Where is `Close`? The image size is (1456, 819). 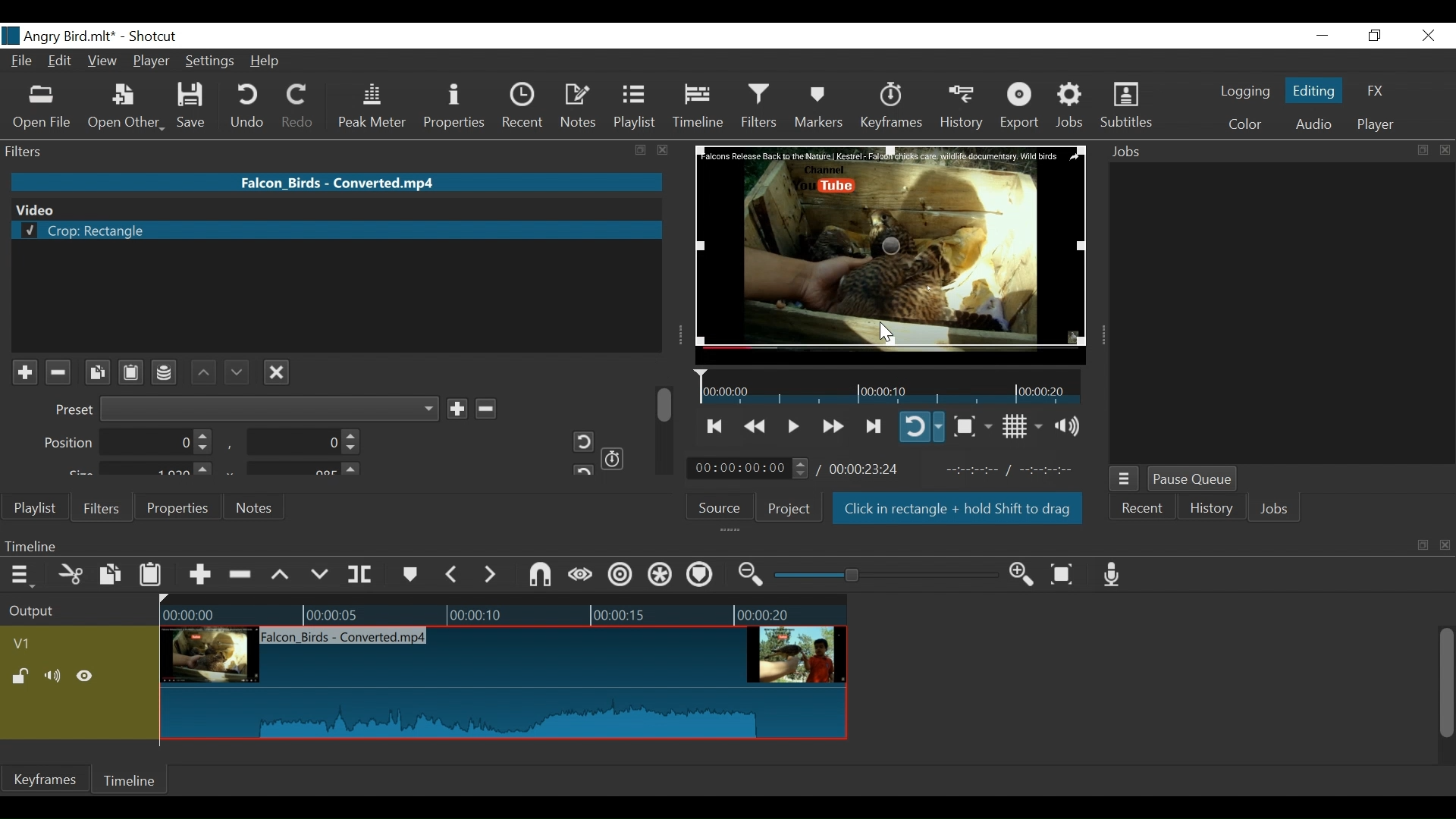
Close is located at coordinates (1426, 36).